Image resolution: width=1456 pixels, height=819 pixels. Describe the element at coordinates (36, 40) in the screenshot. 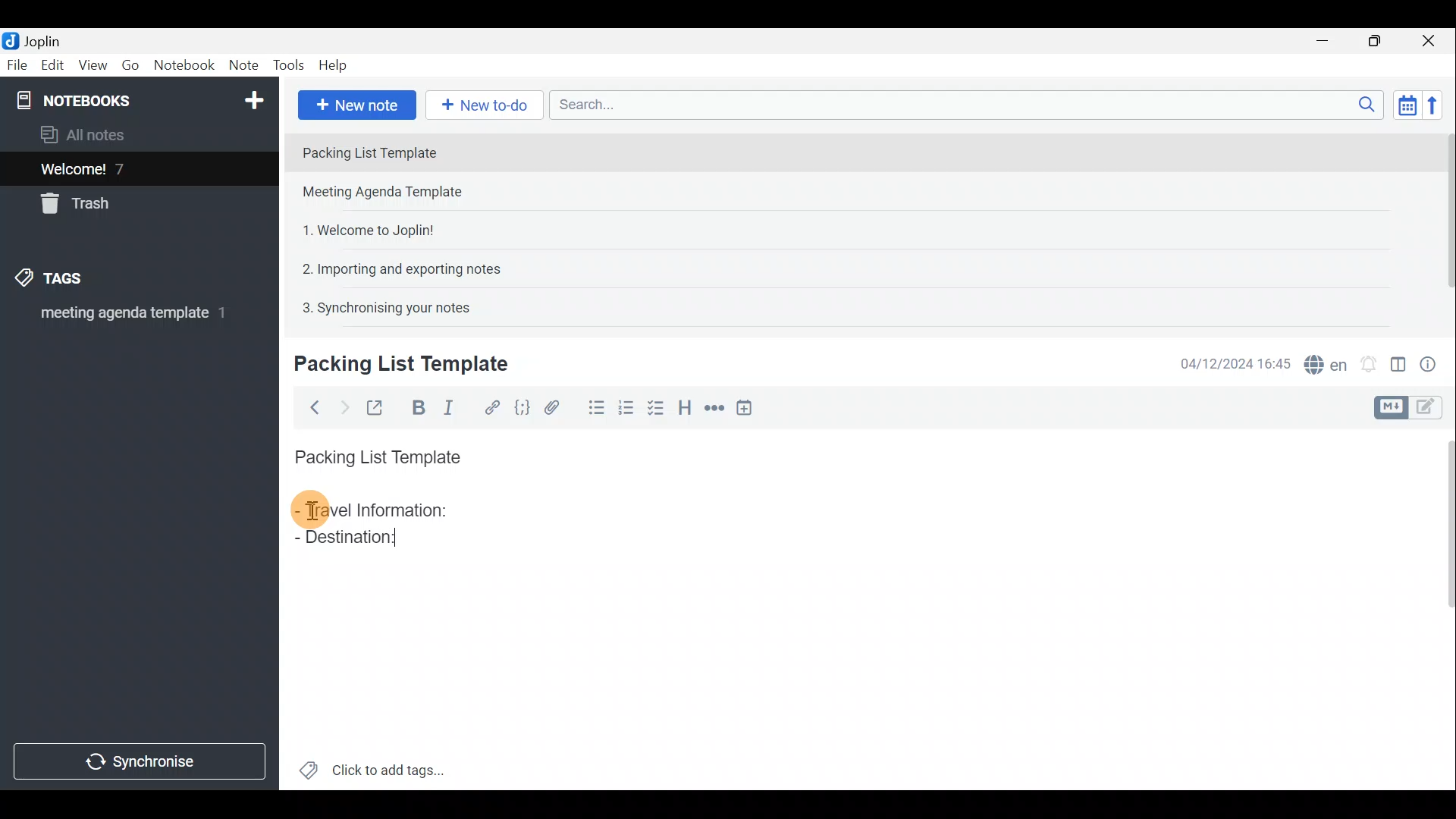

I see `Joplin` at that location.